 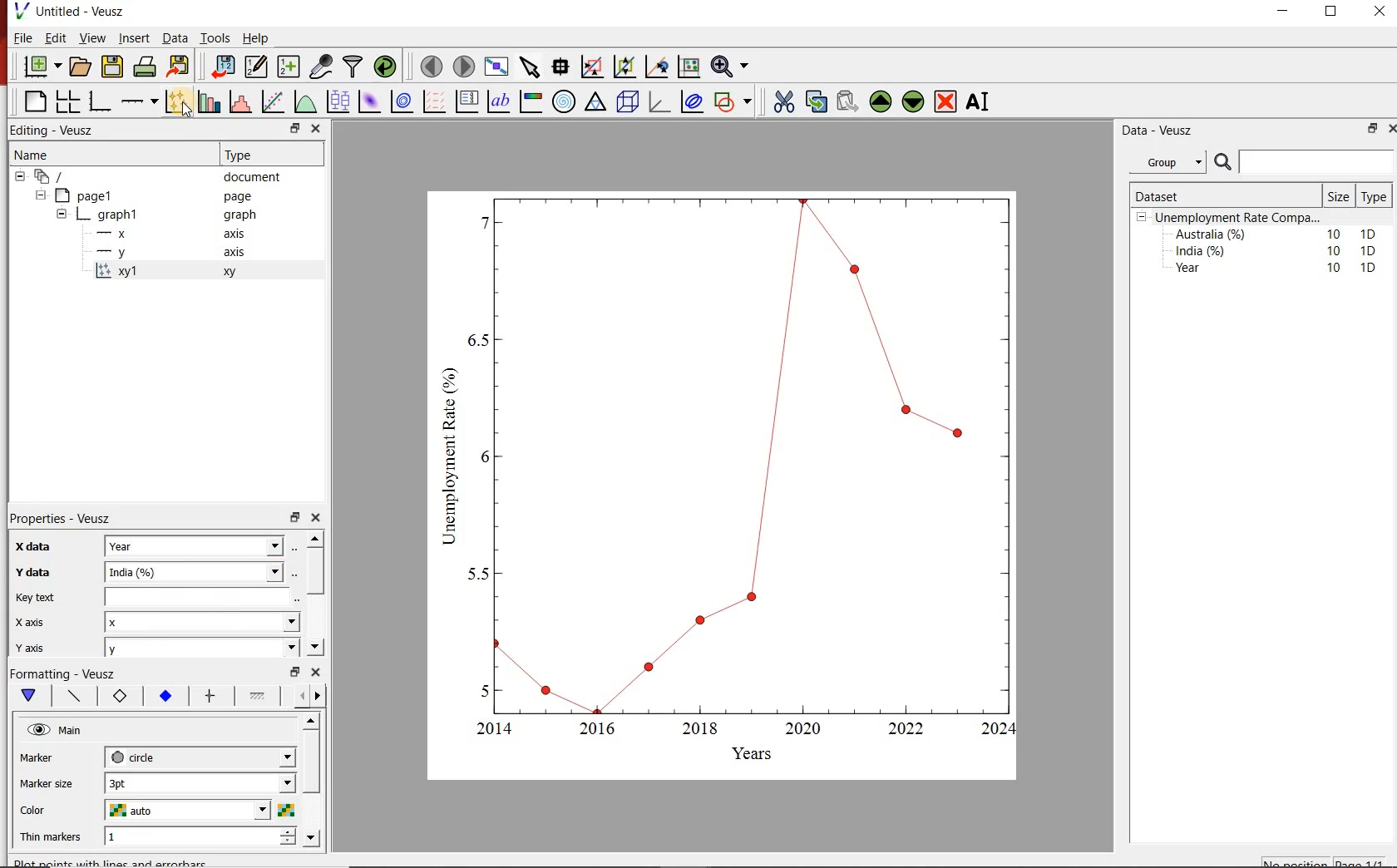 What do you see at coordinates (312, 776) in the screenshot?
I see `scroll bar` at bounding box center [312, 776].